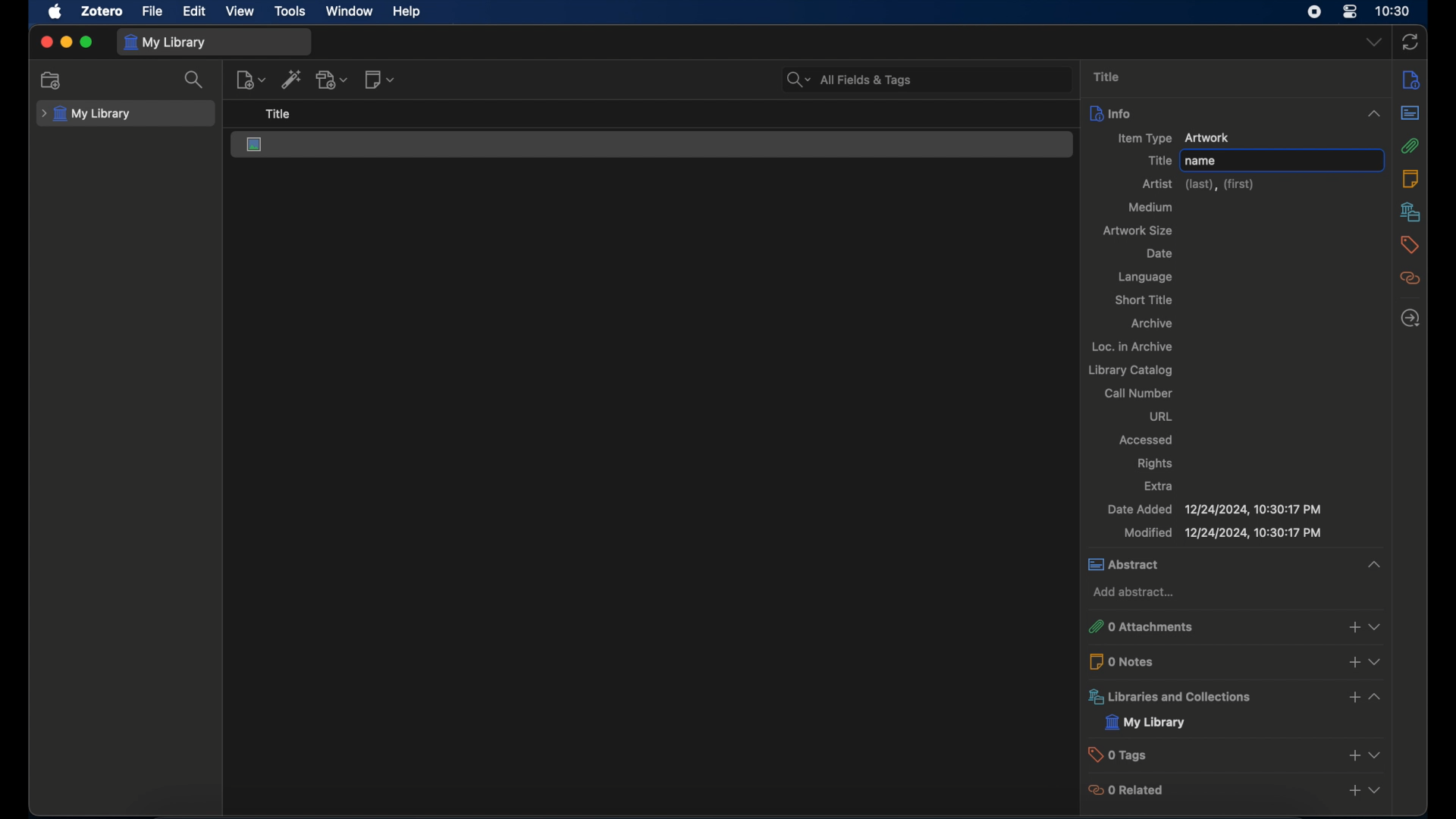 The width and height of the screenshot is (1456, 819). What do you see at coordinates (1410, 113) in the screenshot?
I see `abstract` at bounding box center [1410, 113].